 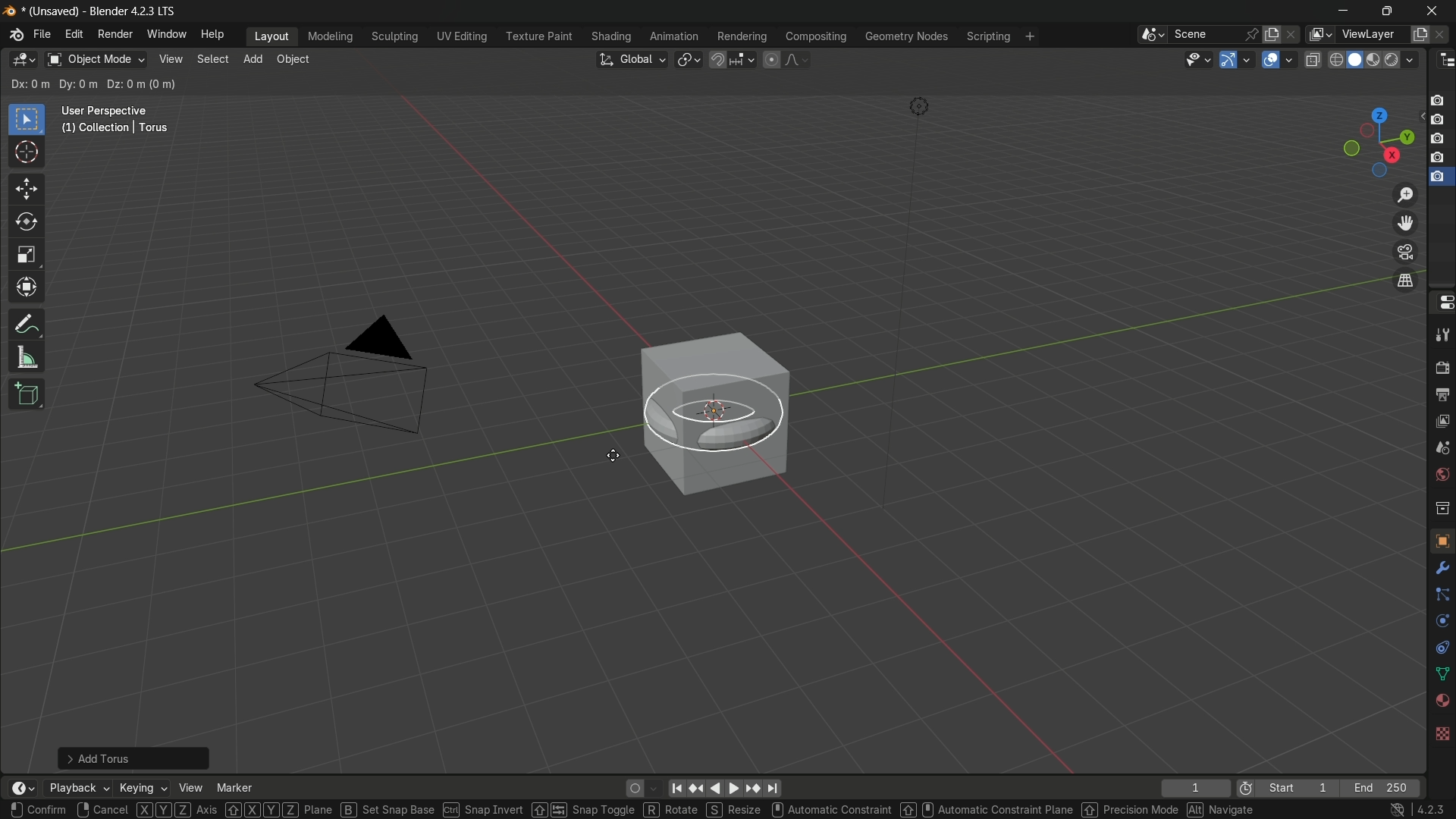 What do you see at coordinates (742, 37) in the screenshot?
I see `rendering` at bounding box center [742, 37].